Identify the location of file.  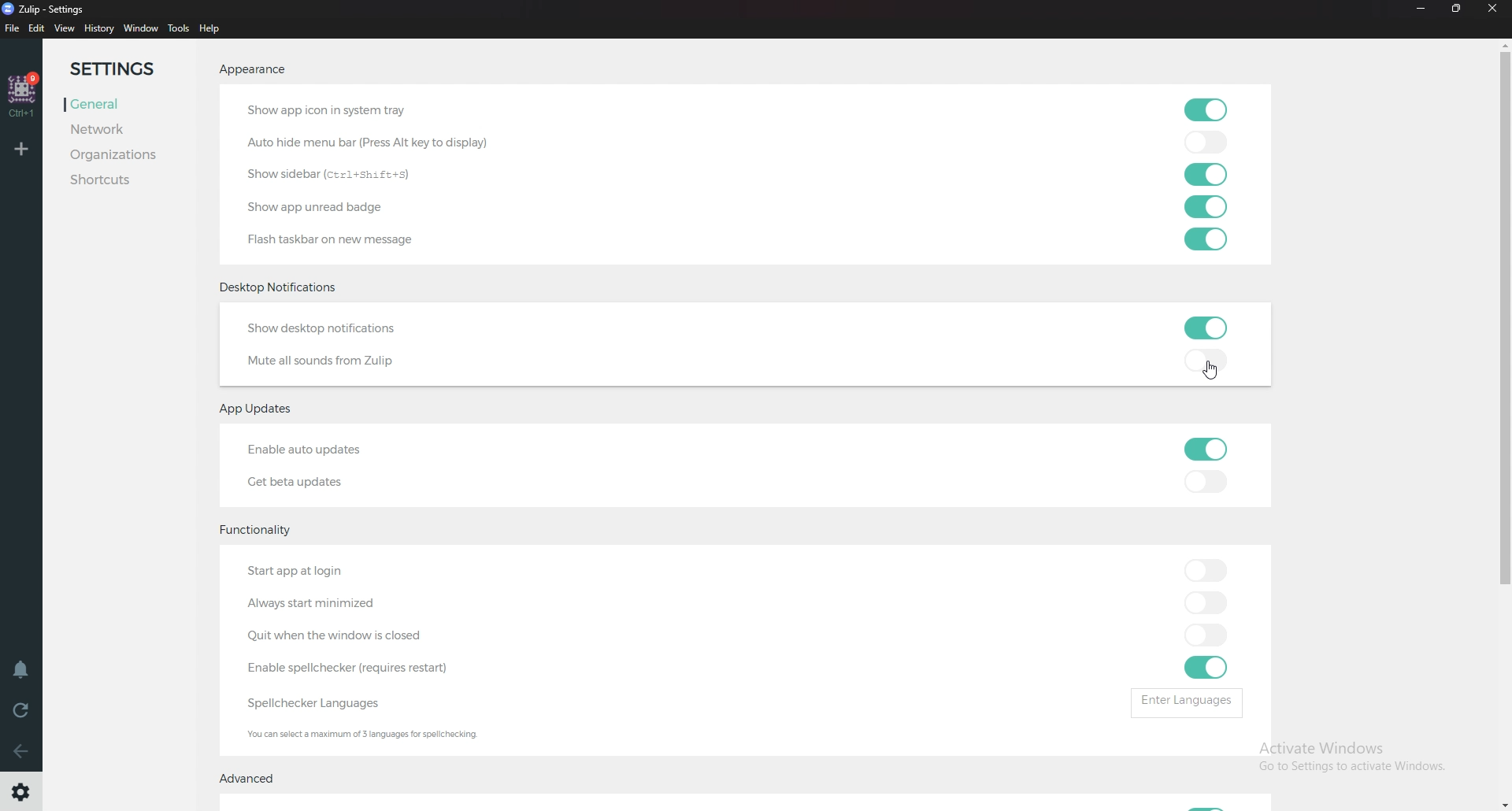
(11, 28).